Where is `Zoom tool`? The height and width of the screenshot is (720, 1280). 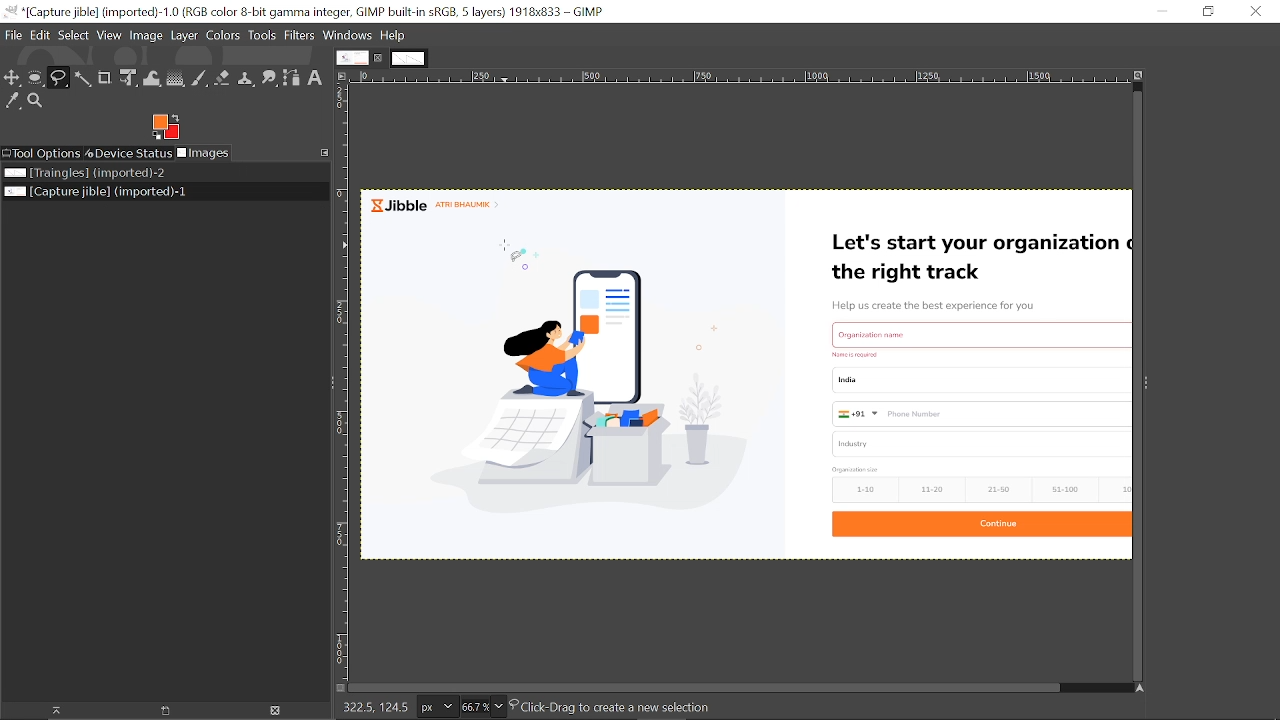 Zoom tool is located at coordinates (35, 100).